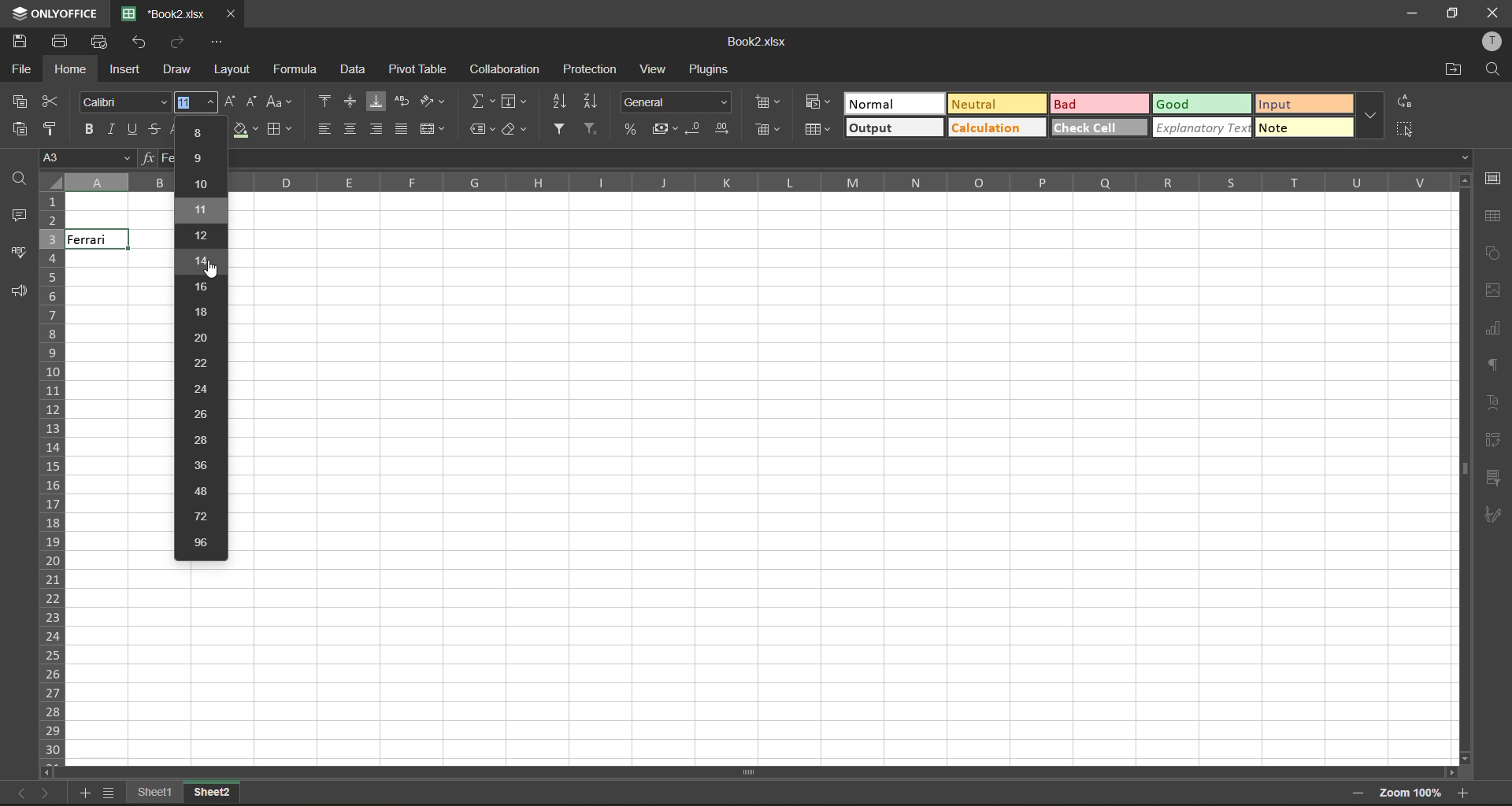  Describe the element at coordinates (629, 127) in the screenshot. I see `percent` at that location.